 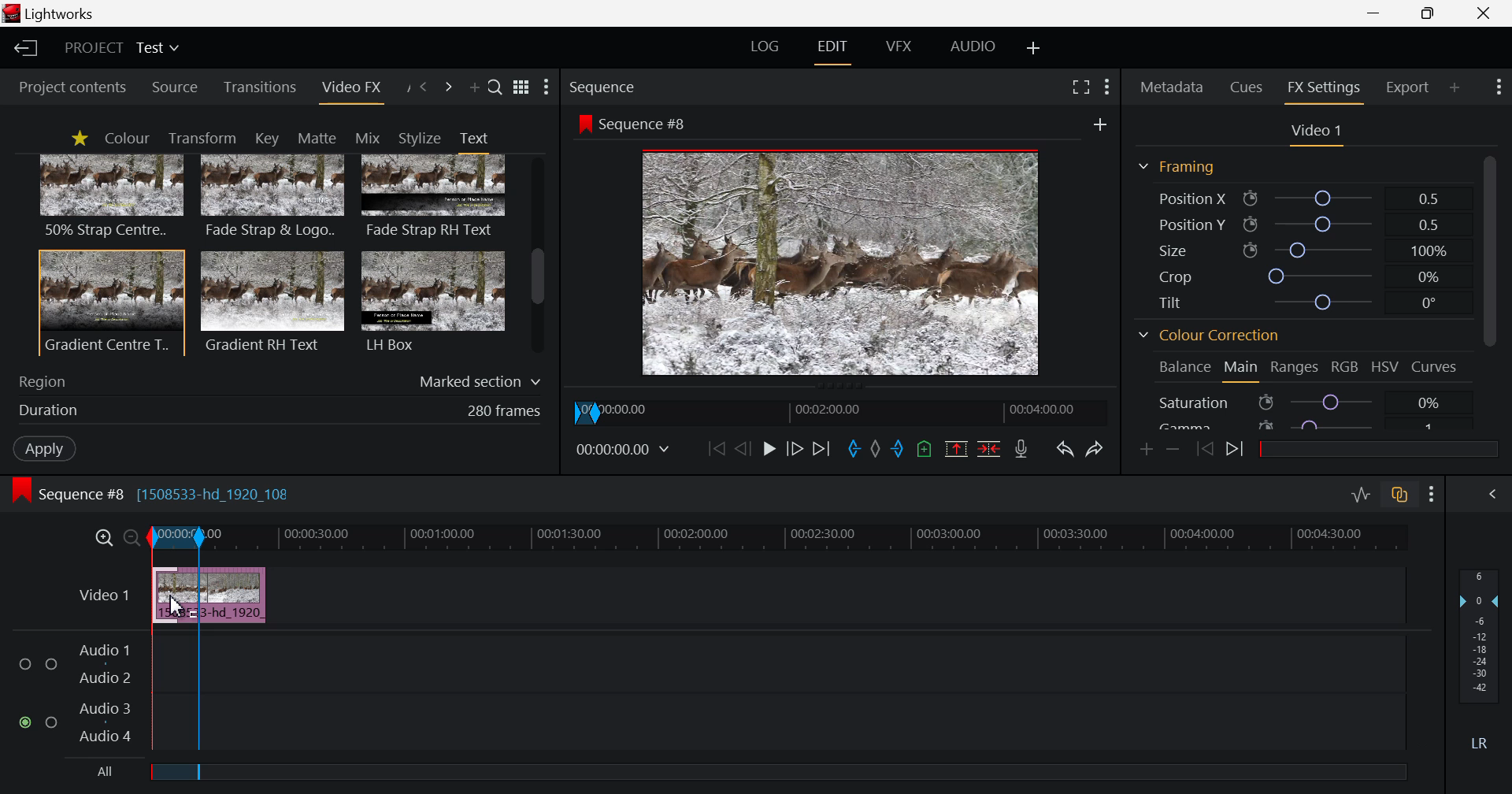 I want to click on audio 2, so click(x=107, y=680).